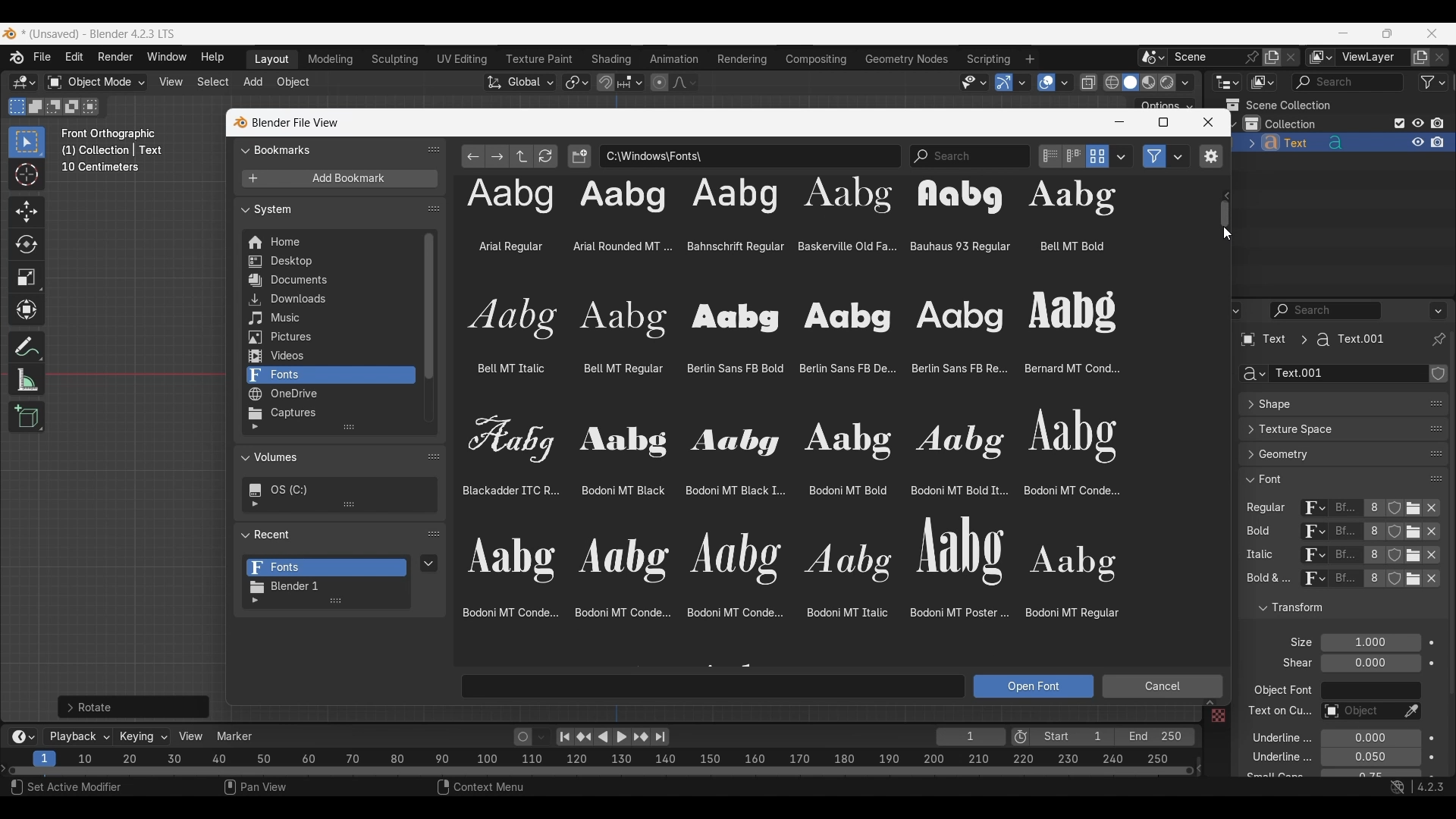 This screenshot has width=1456, height=819. Describe the element at coordinates (471, 789) in the screenshot. I see `content menu` at that location.